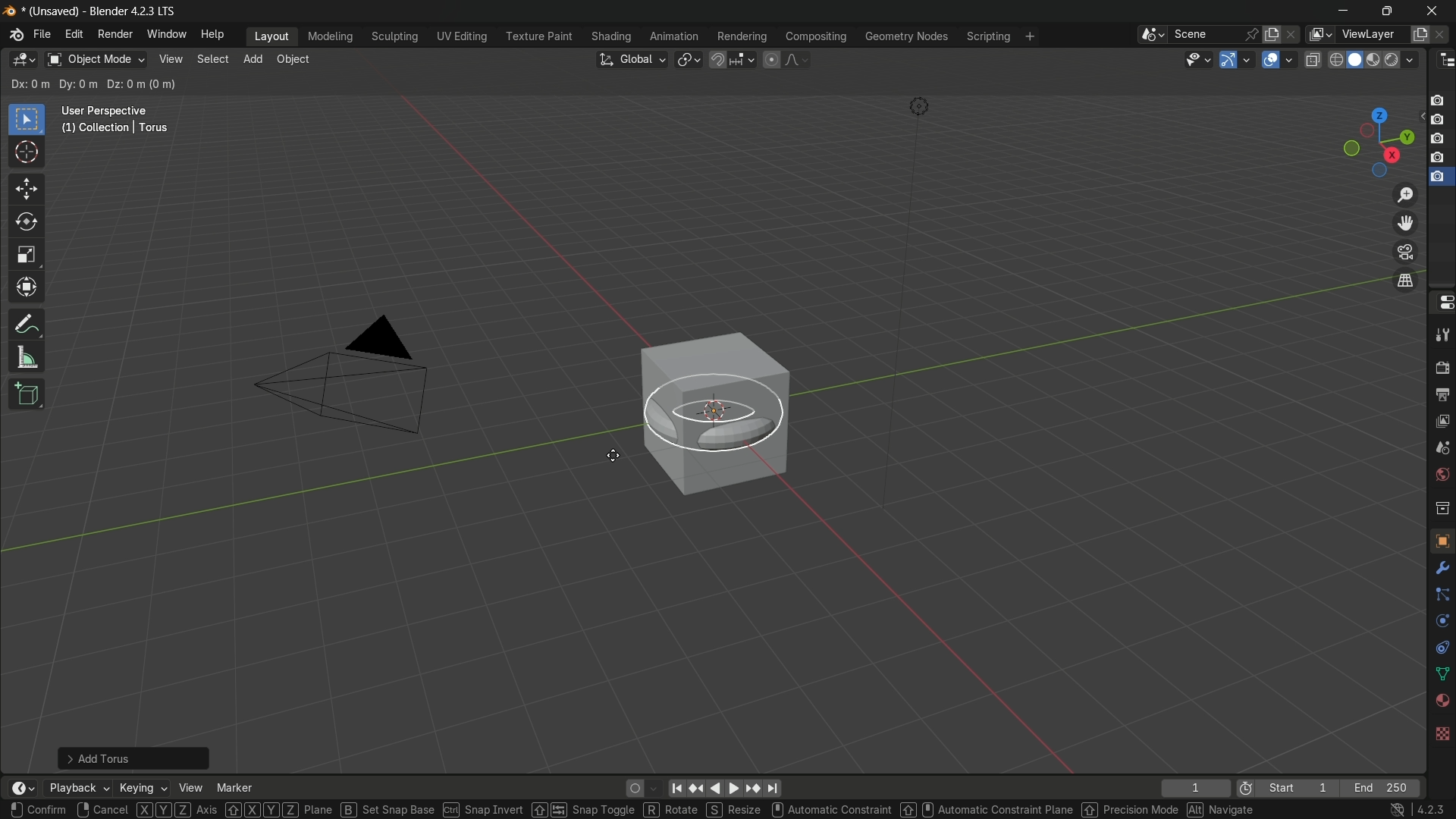 The image size is (1456, 819). I want to click on show overlay, so click(1270, 60).